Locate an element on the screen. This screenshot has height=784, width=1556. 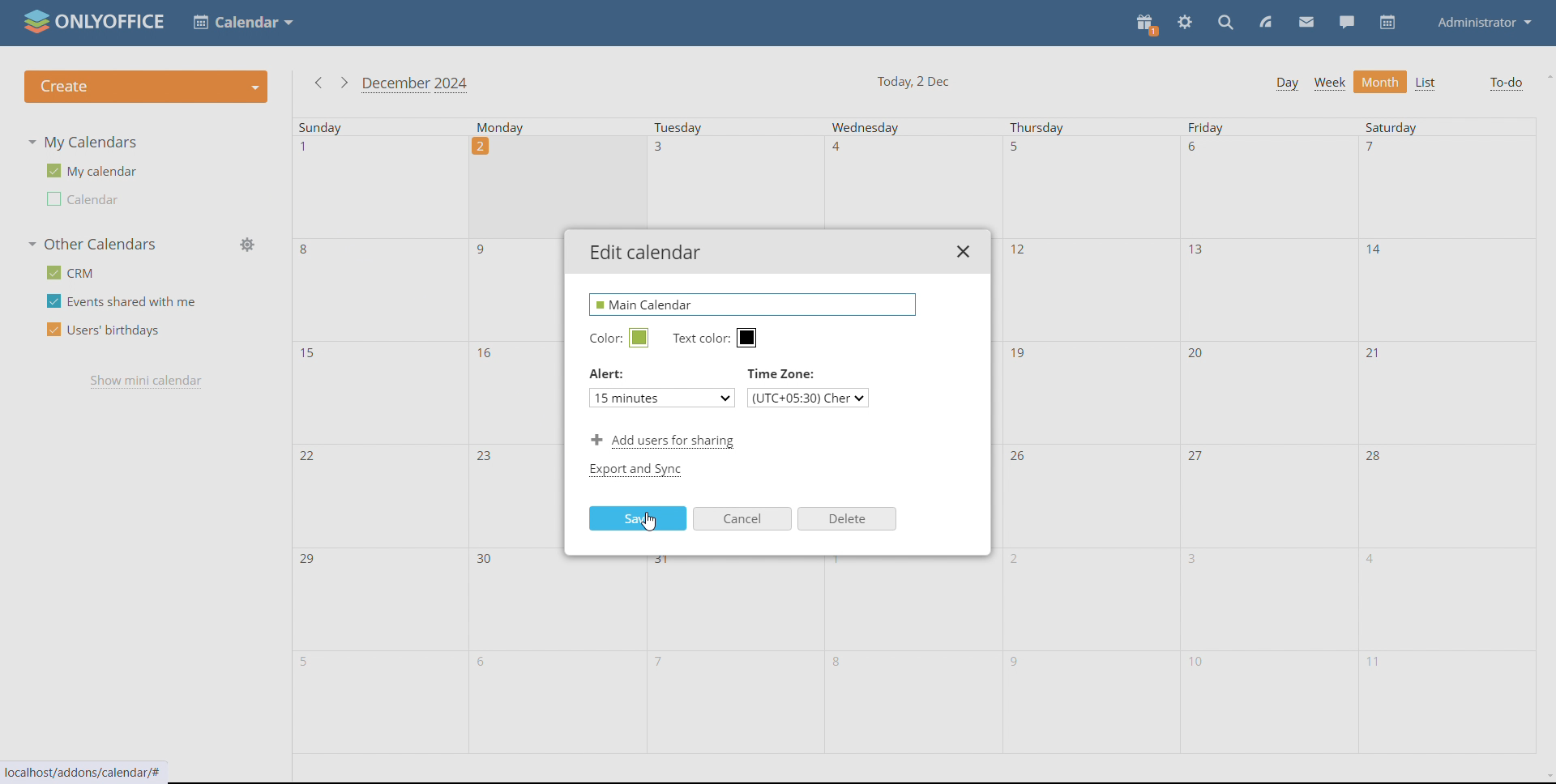
sunday is located at coordinates (364, 123).